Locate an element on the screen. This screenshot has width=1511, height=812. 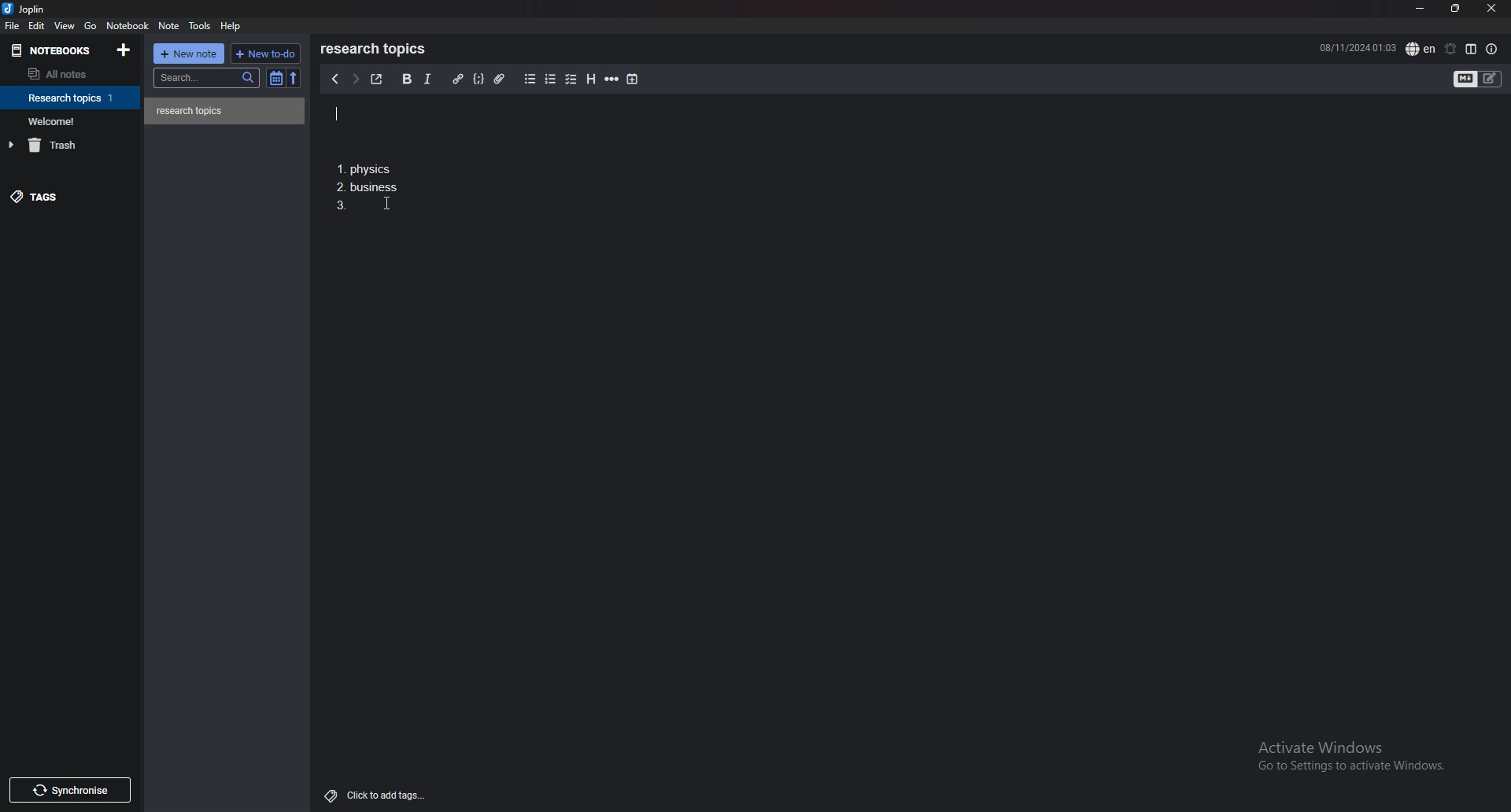
minimize is located at coordinates (1419, 9).